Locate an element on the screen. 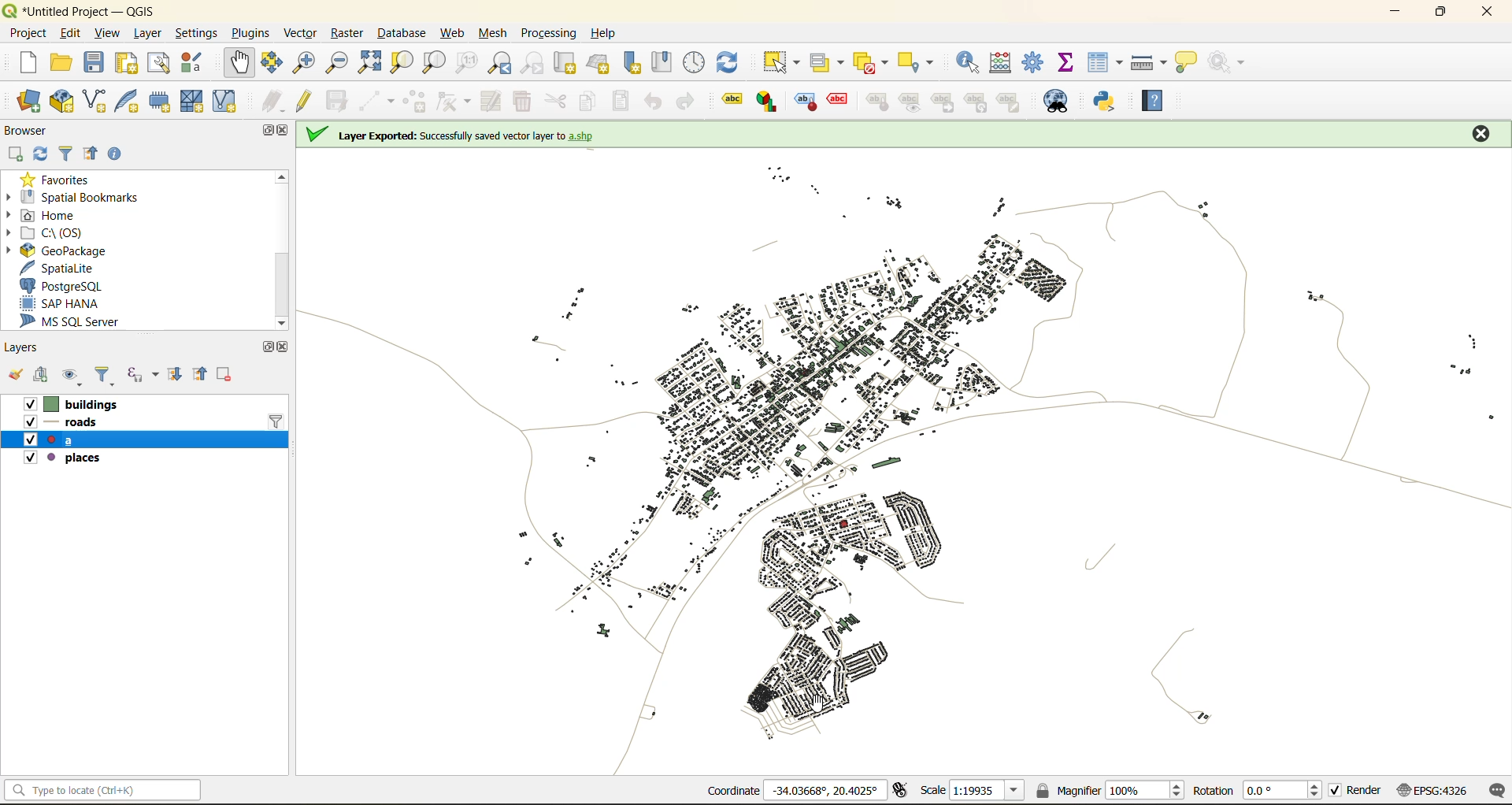  zoom in is located at coordinates (307, 63).